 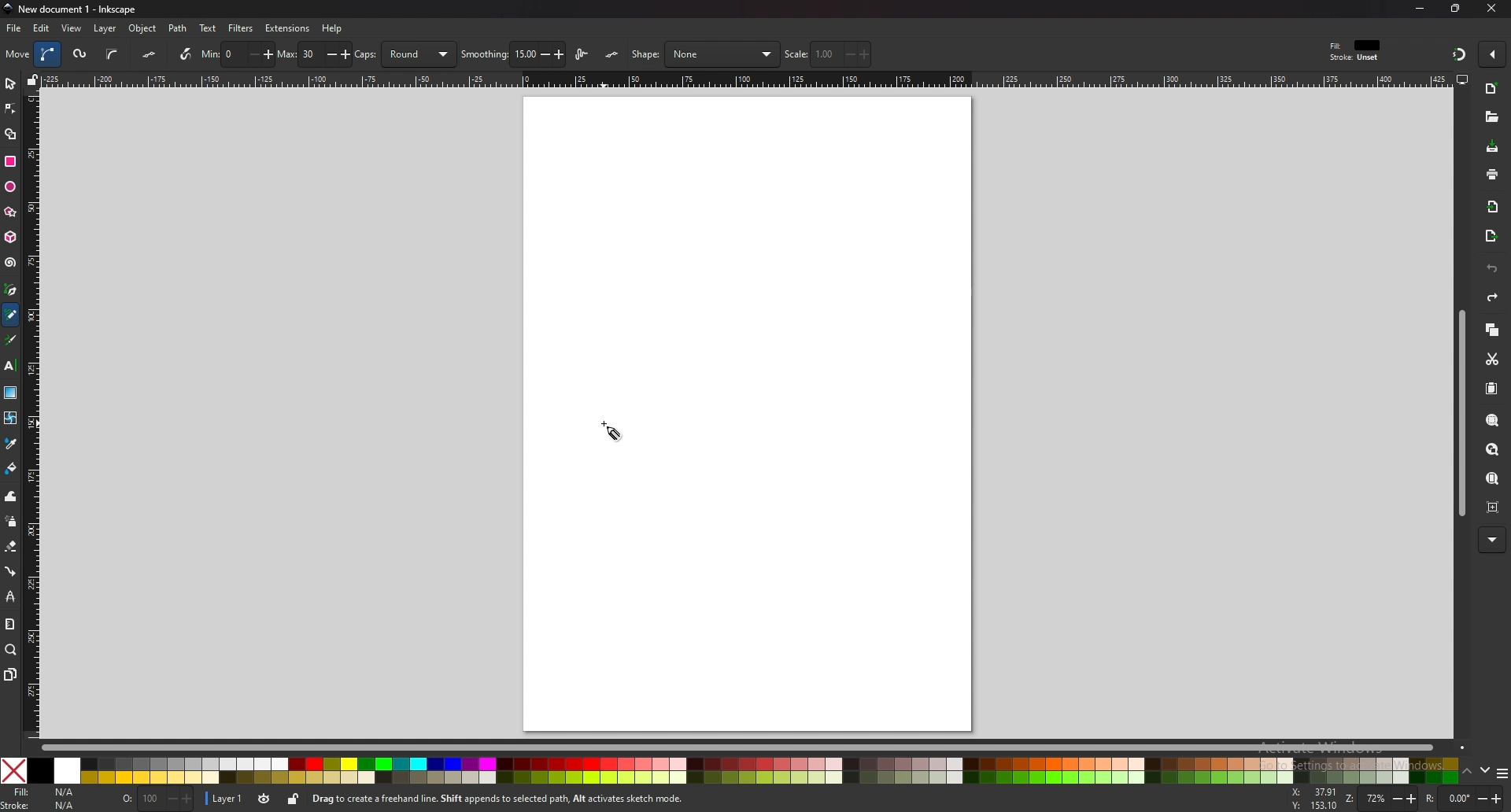 What do you see at coordinates (1491, 330) in the screenshot?
I see `copy` at bounding box center [1491, 330].